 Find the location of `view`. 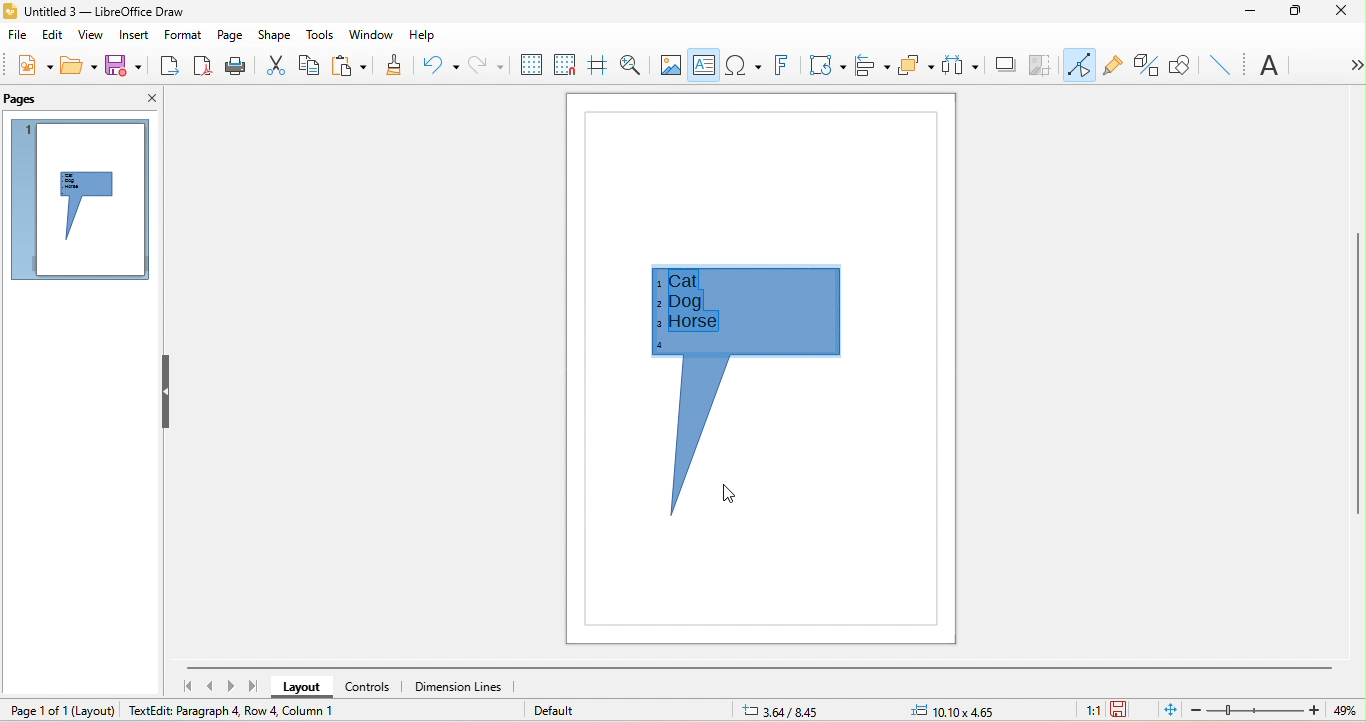

view is located at coordinates (88, 37).